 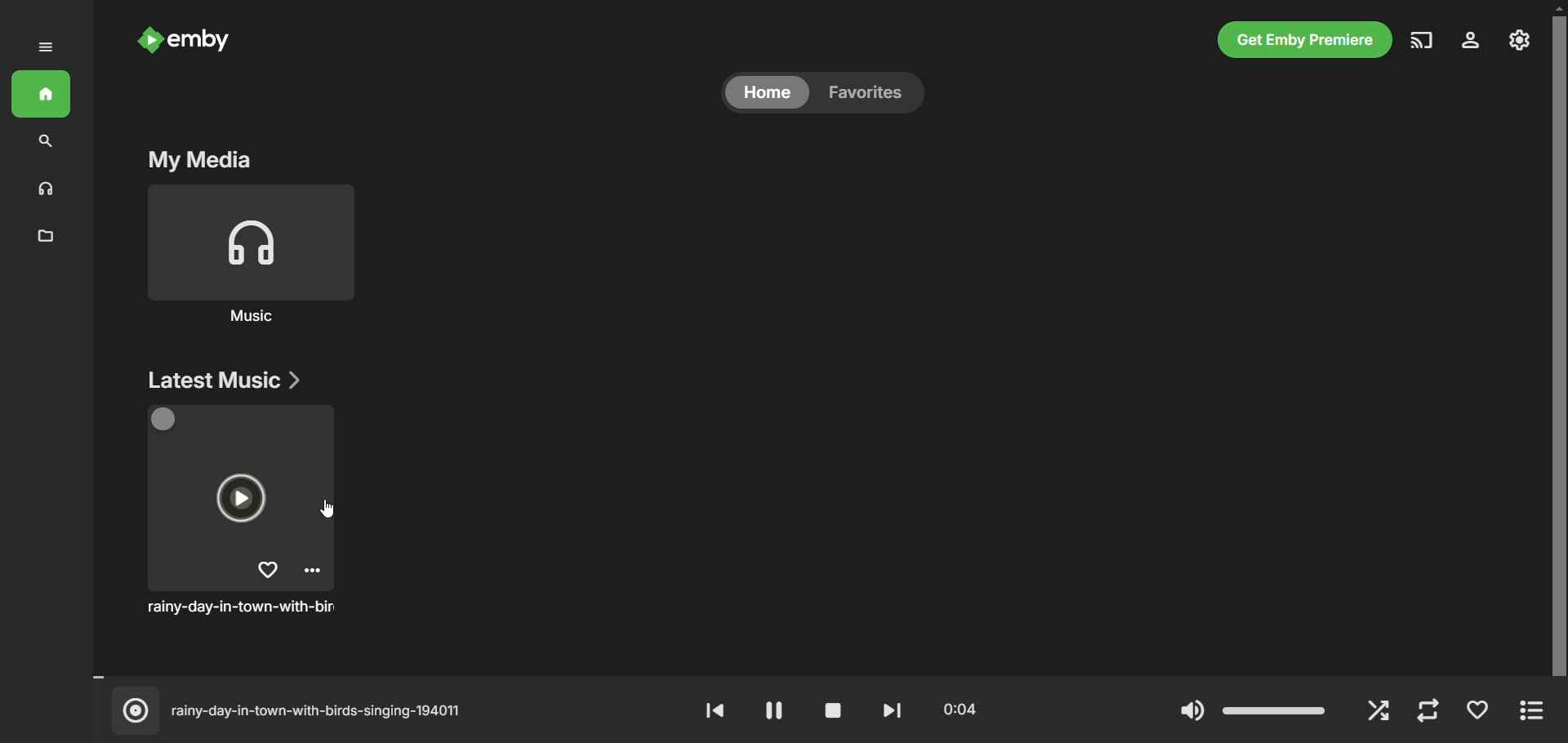 What do you see at coordinates (954, 709) in the screenshot?
I see `played time` at bounding box center [954, 709].